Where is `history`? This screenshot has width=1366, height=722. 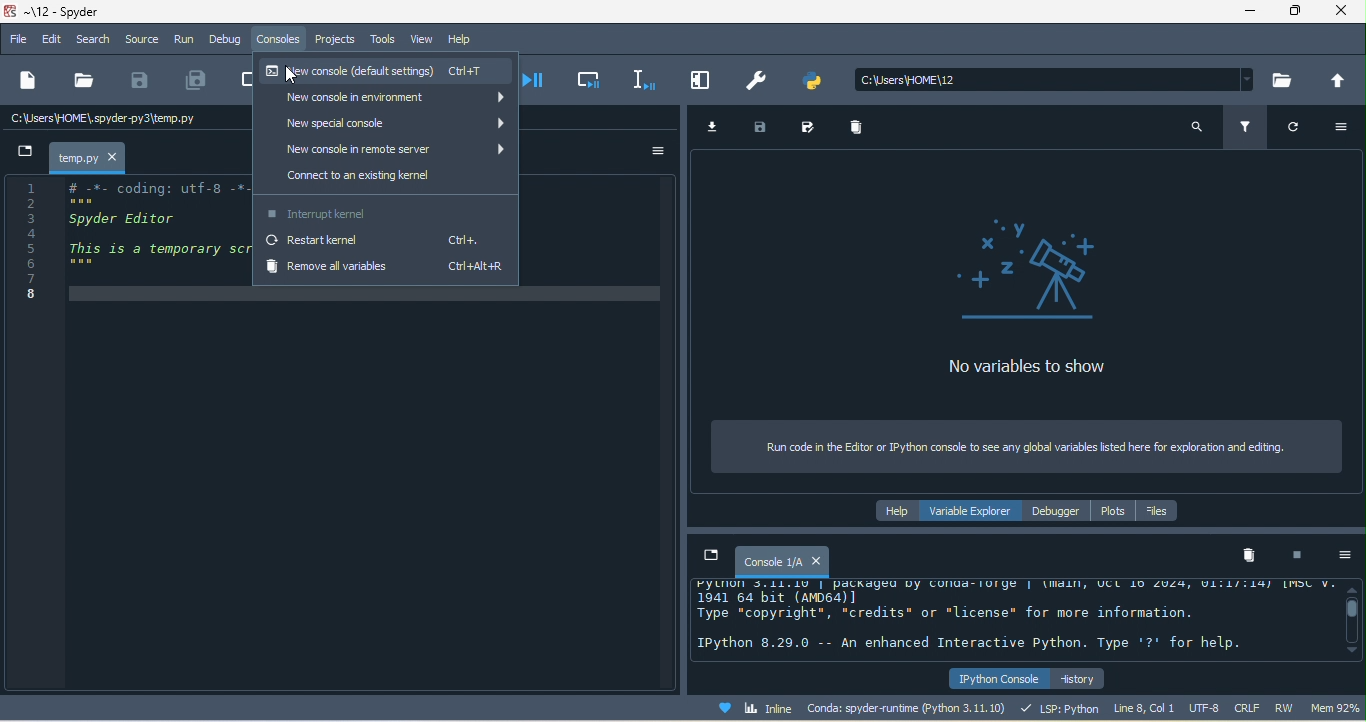
history is located at coordinates (1081, 677).